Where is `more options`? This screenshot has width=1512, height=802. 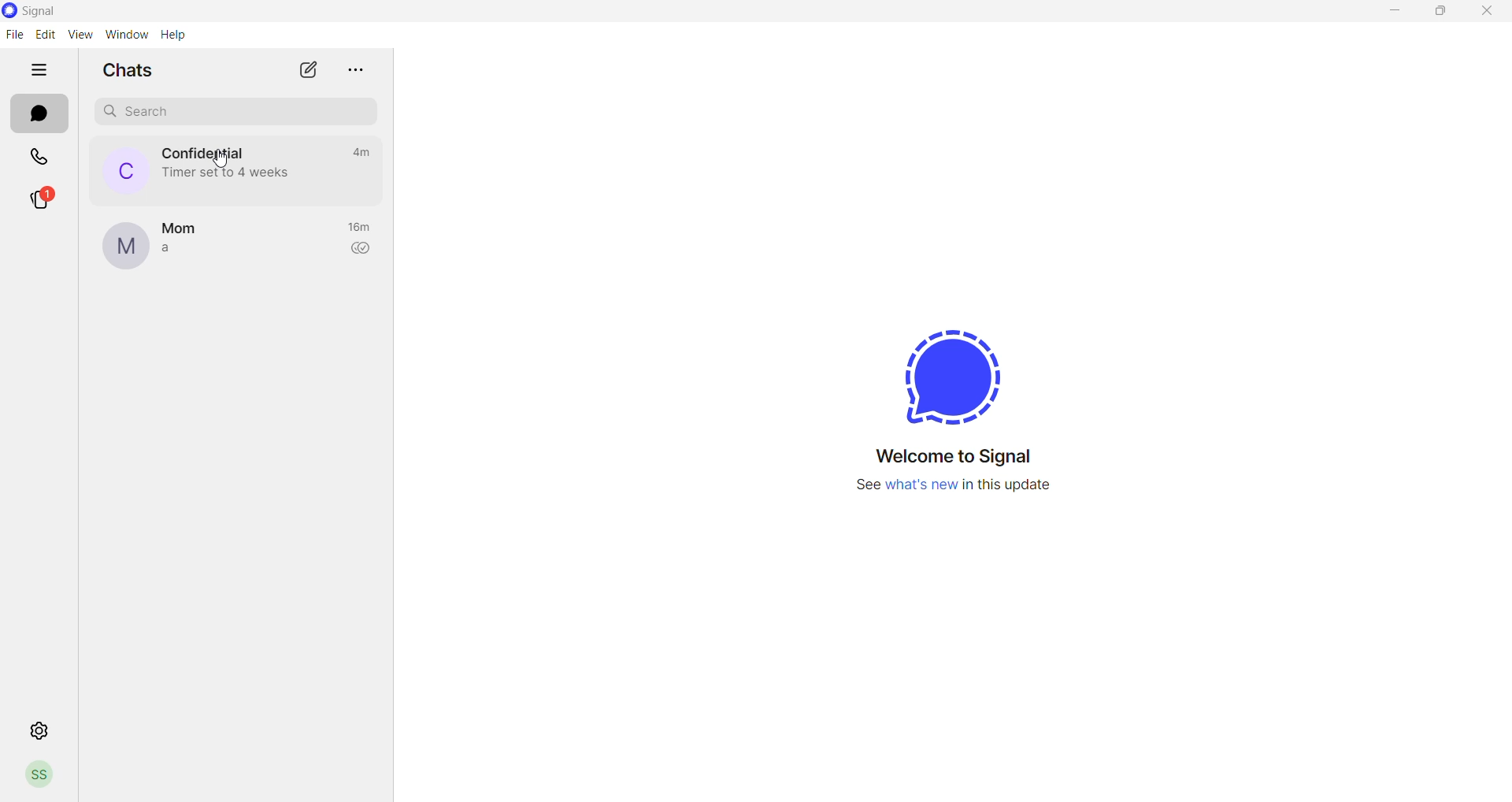 more options is located at coordinates (358, 69).